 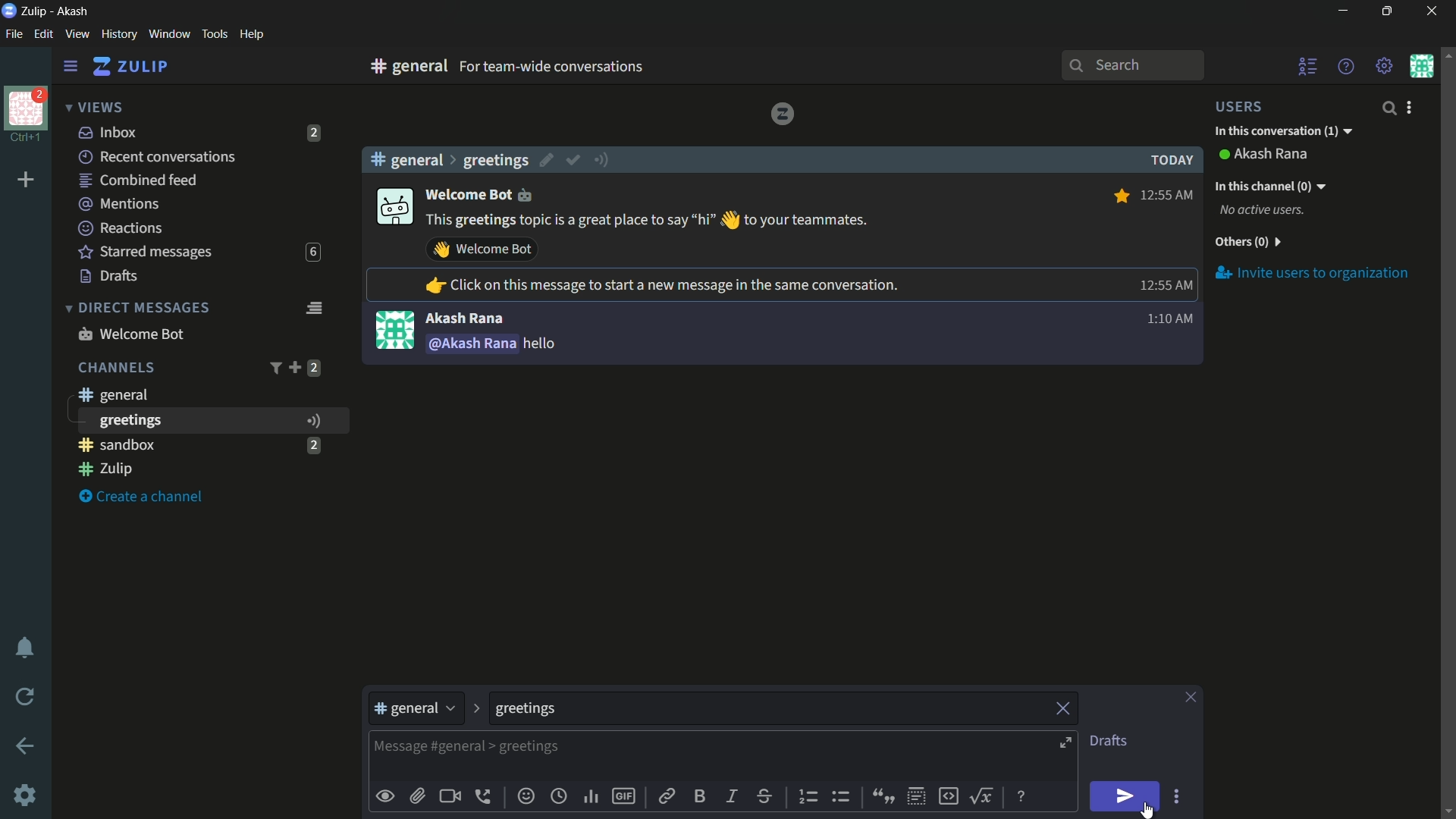 What do you see at coordinates (1313, 275) in the screenshot?
I see `invite users to organization` at bounding box center [1313, 275].